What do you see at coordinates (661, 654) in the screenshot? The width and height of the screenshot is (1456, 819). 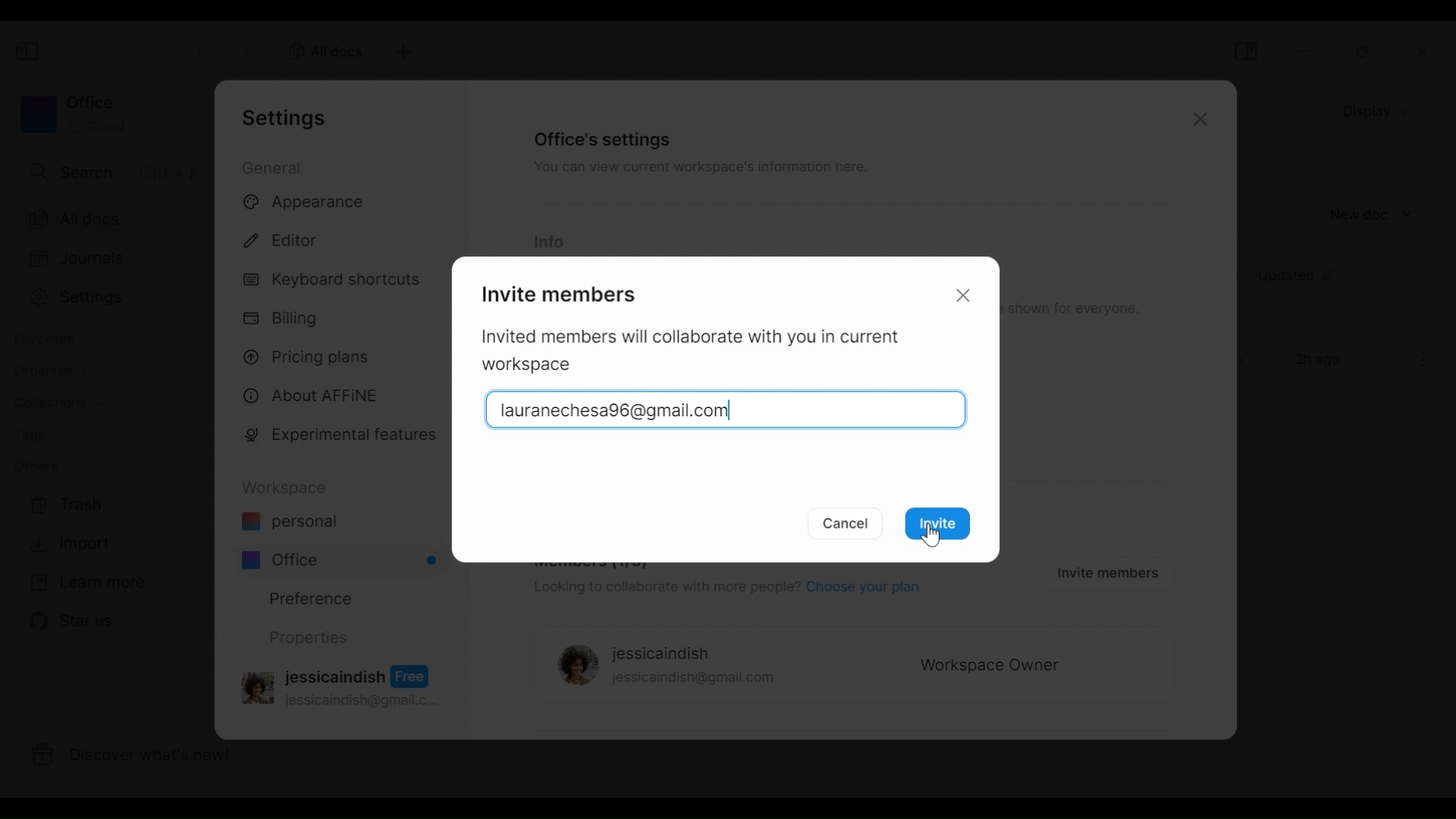 I see `Jessicaindish` at bounding box center [661, 654].